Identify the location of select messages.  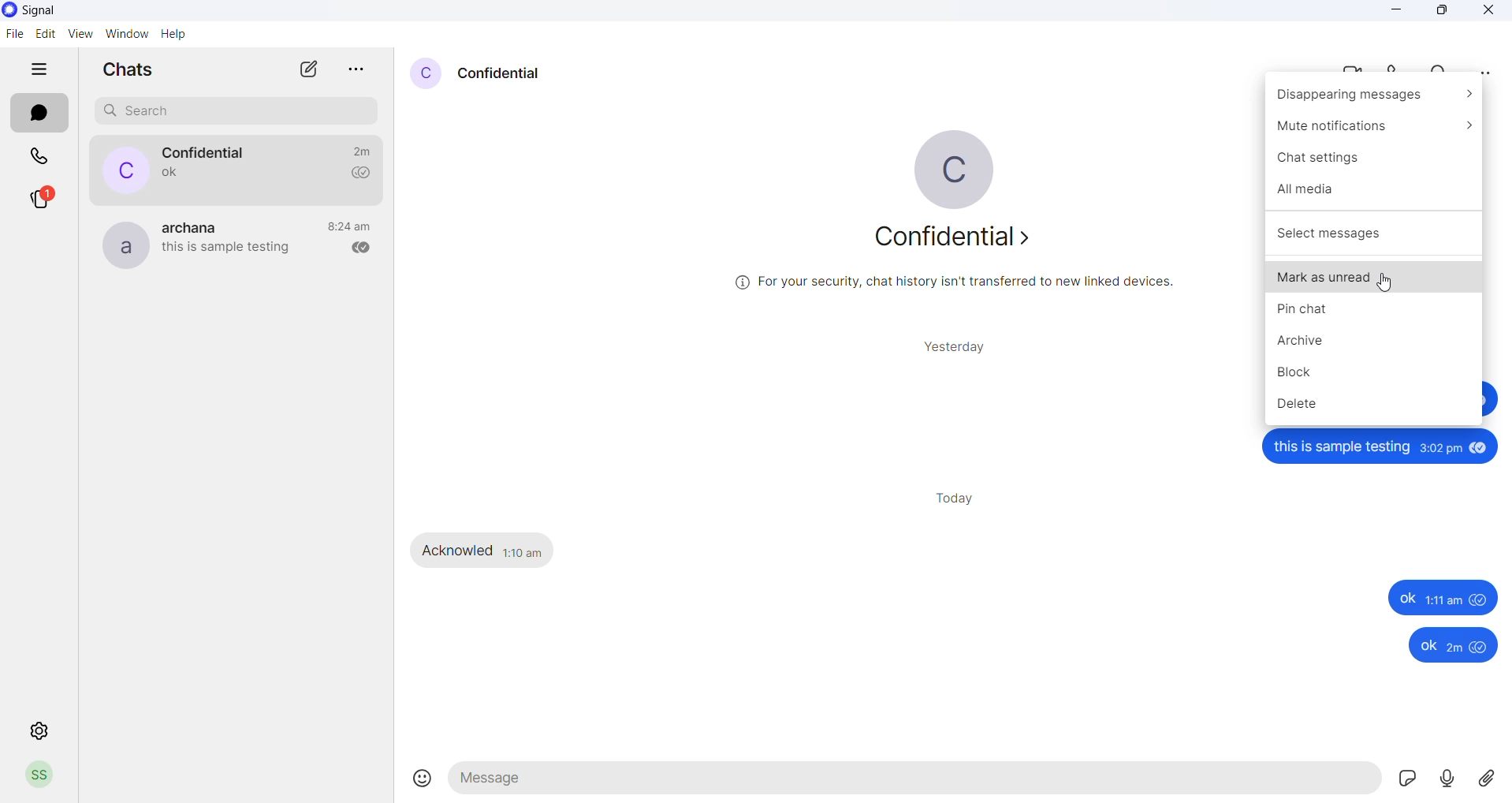
(1373, 233).